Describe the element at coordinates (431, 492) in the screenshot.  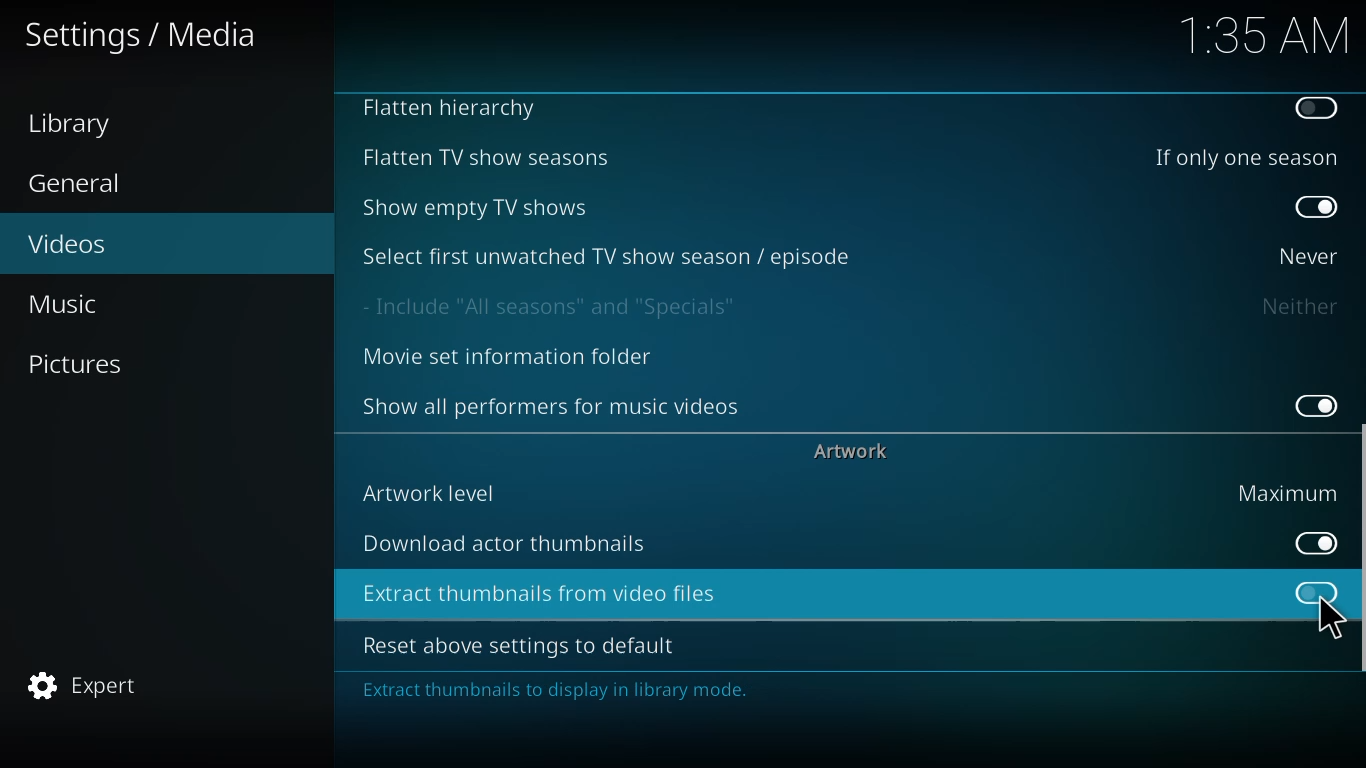
I see `artwork level` at that location.